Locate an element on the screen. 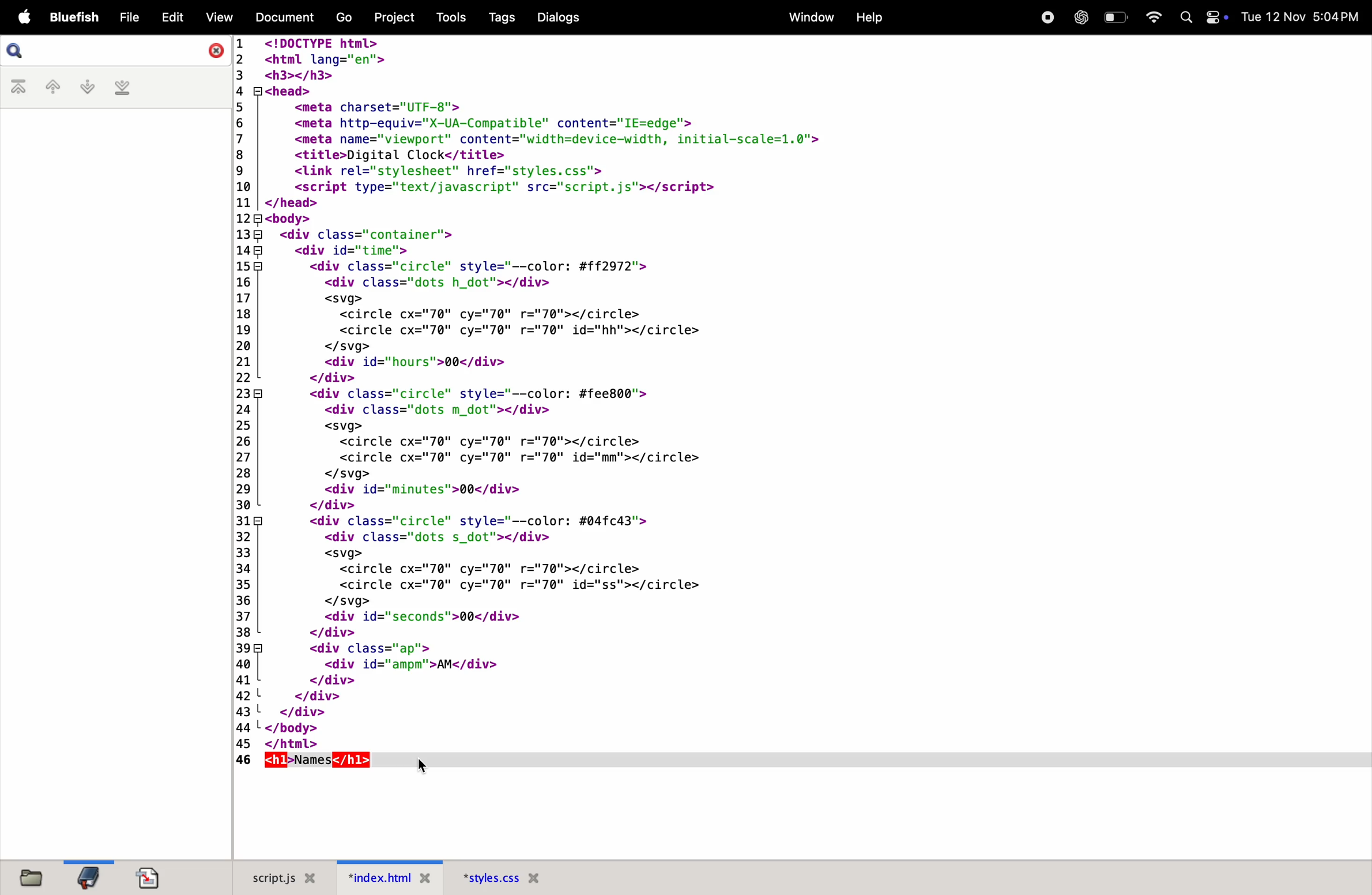  document is located at coordinates (151, 876).